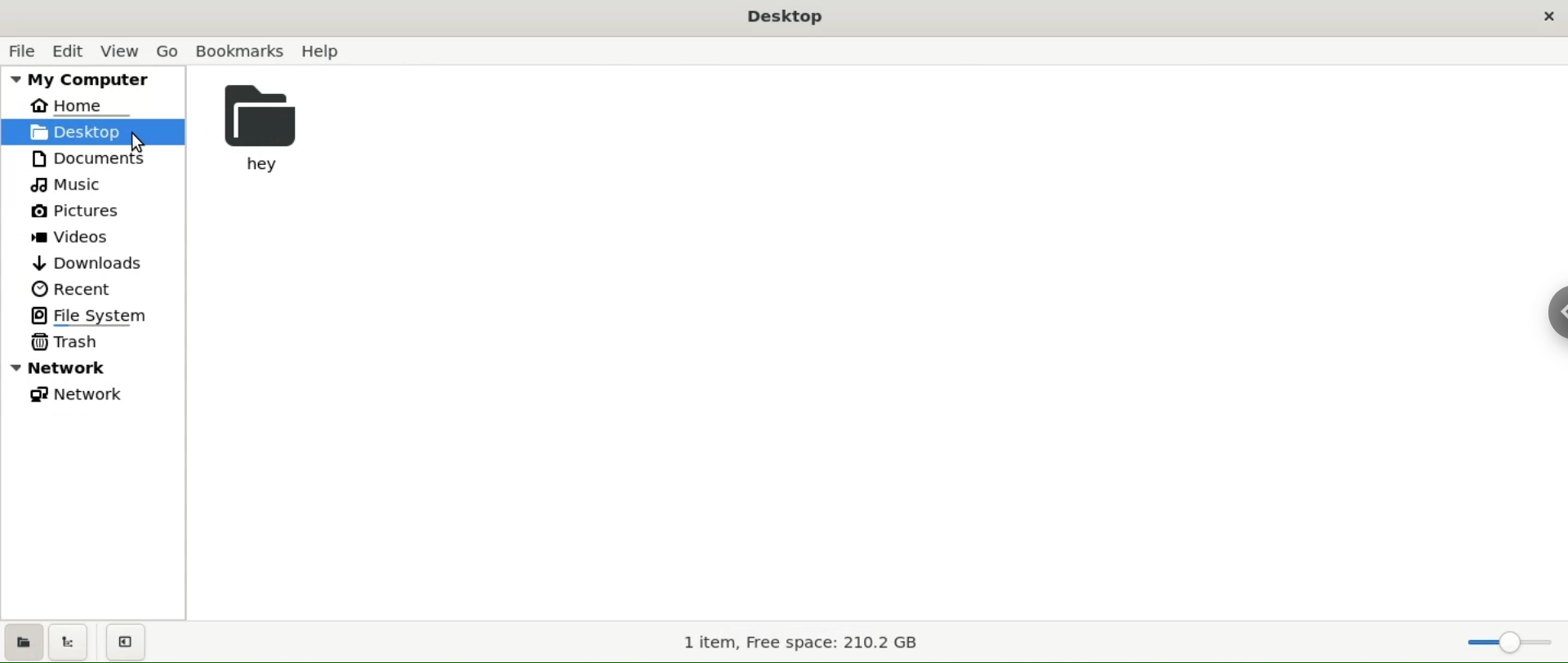 Image resolution: width=1568 pixels, height=663 pixels. What do you see at coordinates (786, 16) in the screenshot?
I see `desktop` at bounding box center [786, 16].